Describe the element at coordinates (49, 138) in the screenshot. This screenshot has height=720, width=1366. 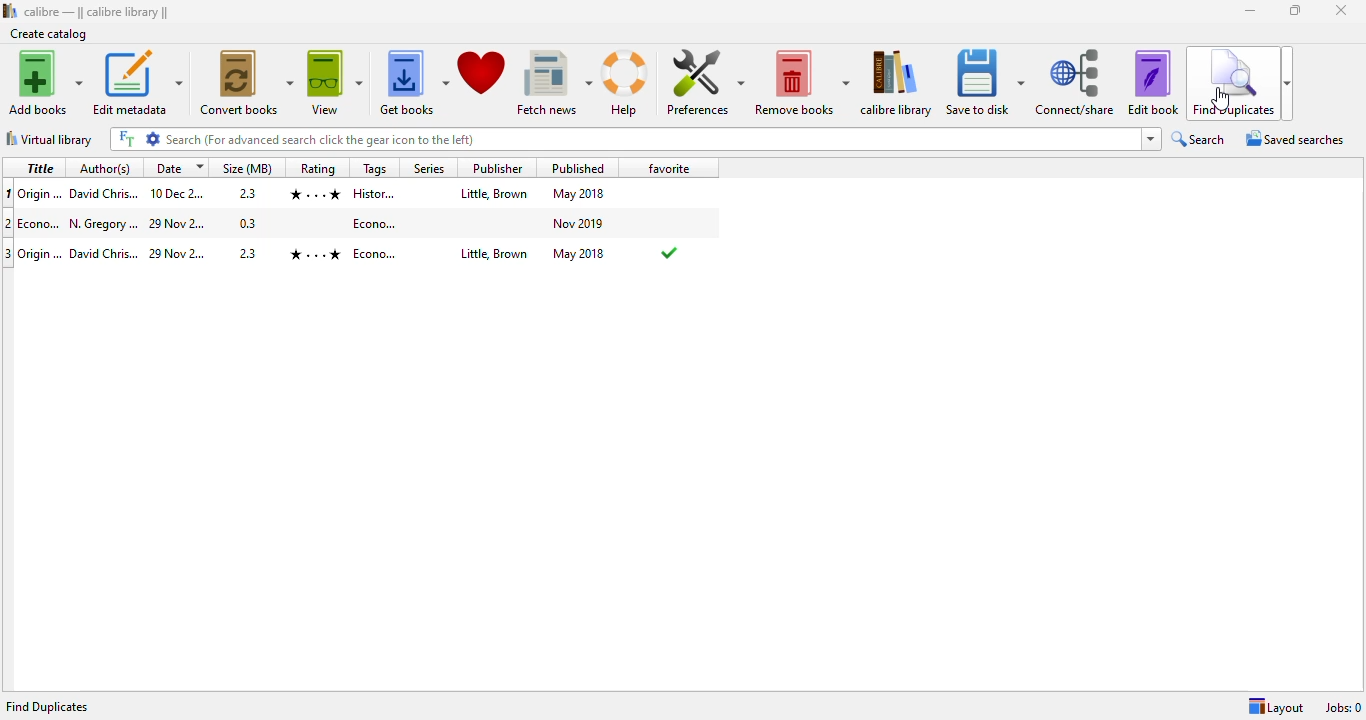
I see `virtual library` at that location.